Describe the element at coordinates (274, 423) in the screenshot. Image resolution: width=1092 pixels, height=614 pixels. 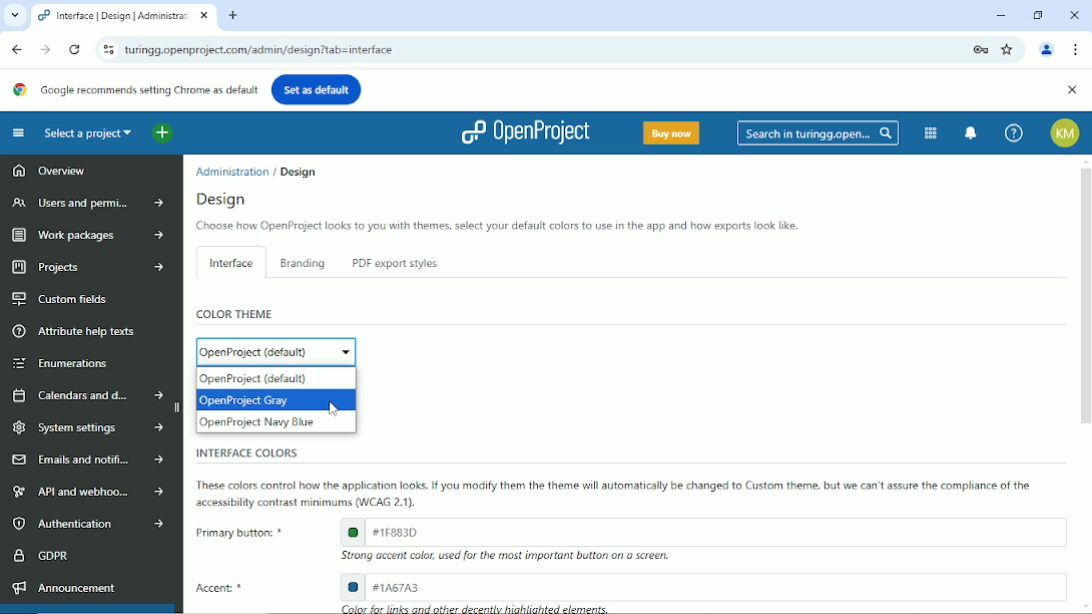
I see `OpenProject Navy Blue` at that location.